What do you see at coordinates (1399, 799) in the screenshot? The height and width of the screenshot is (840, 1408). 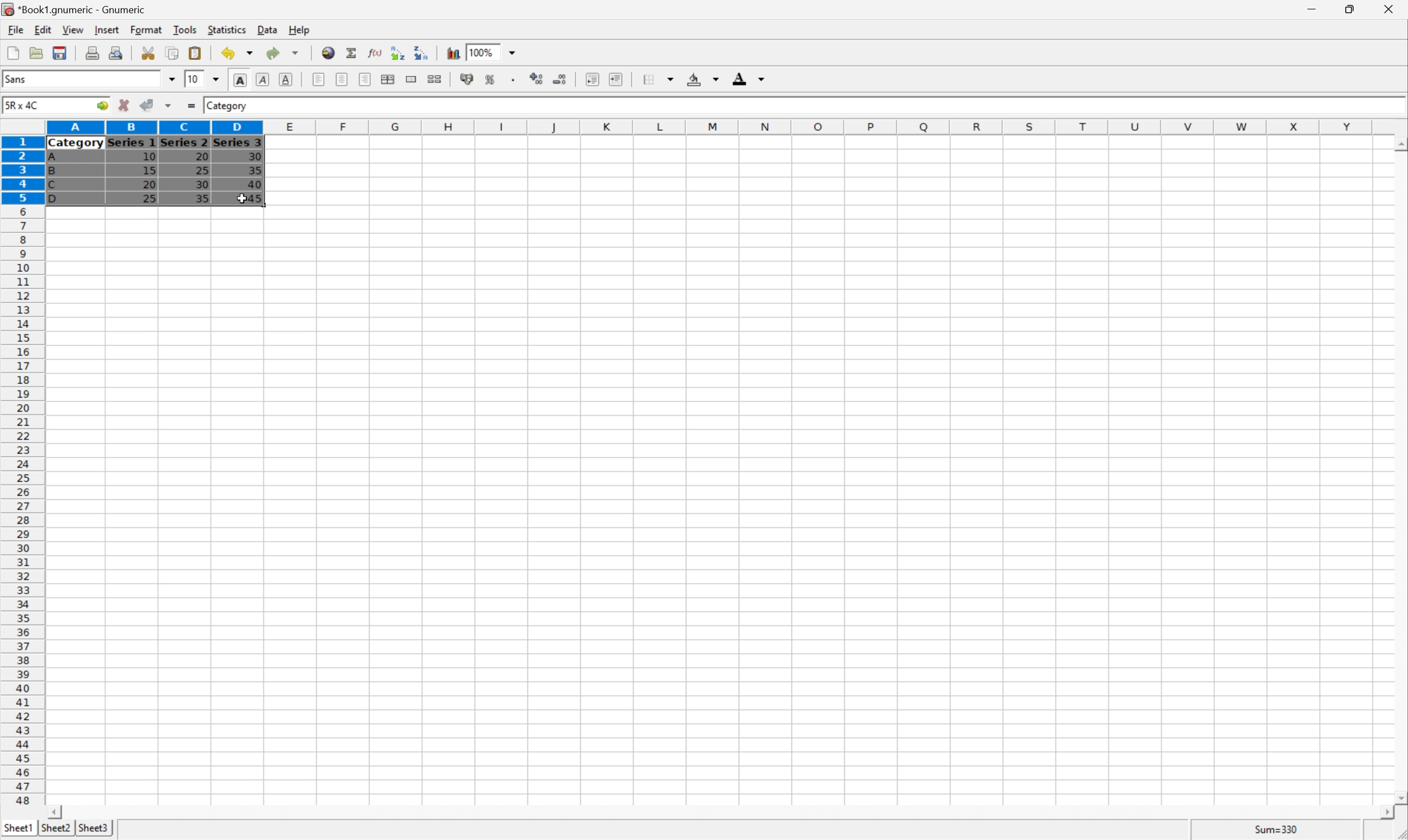 I see `Scroll Down` at bounding box center [1399, 799].